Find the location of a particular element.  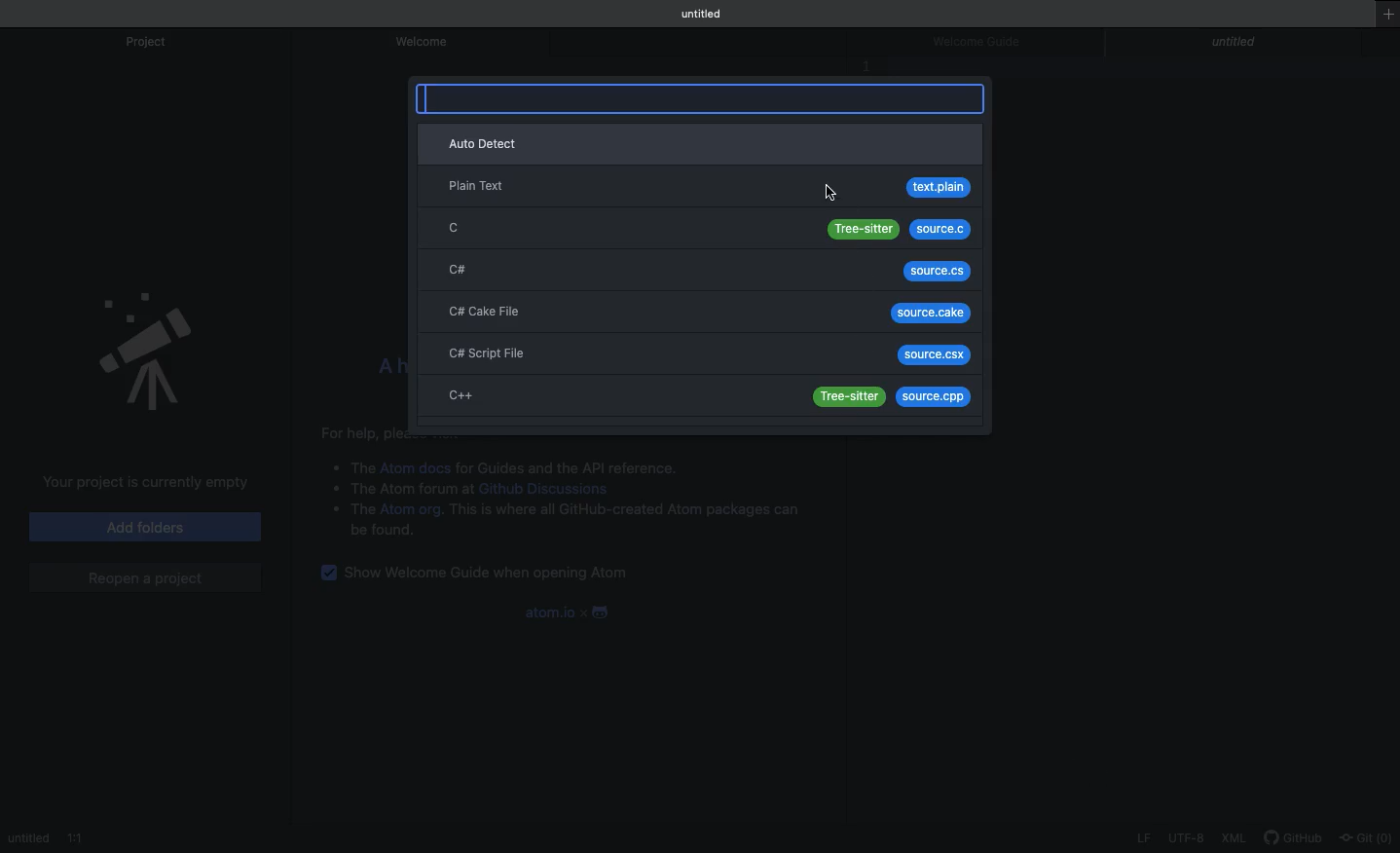

C++ is located at coordinates (696, 396).